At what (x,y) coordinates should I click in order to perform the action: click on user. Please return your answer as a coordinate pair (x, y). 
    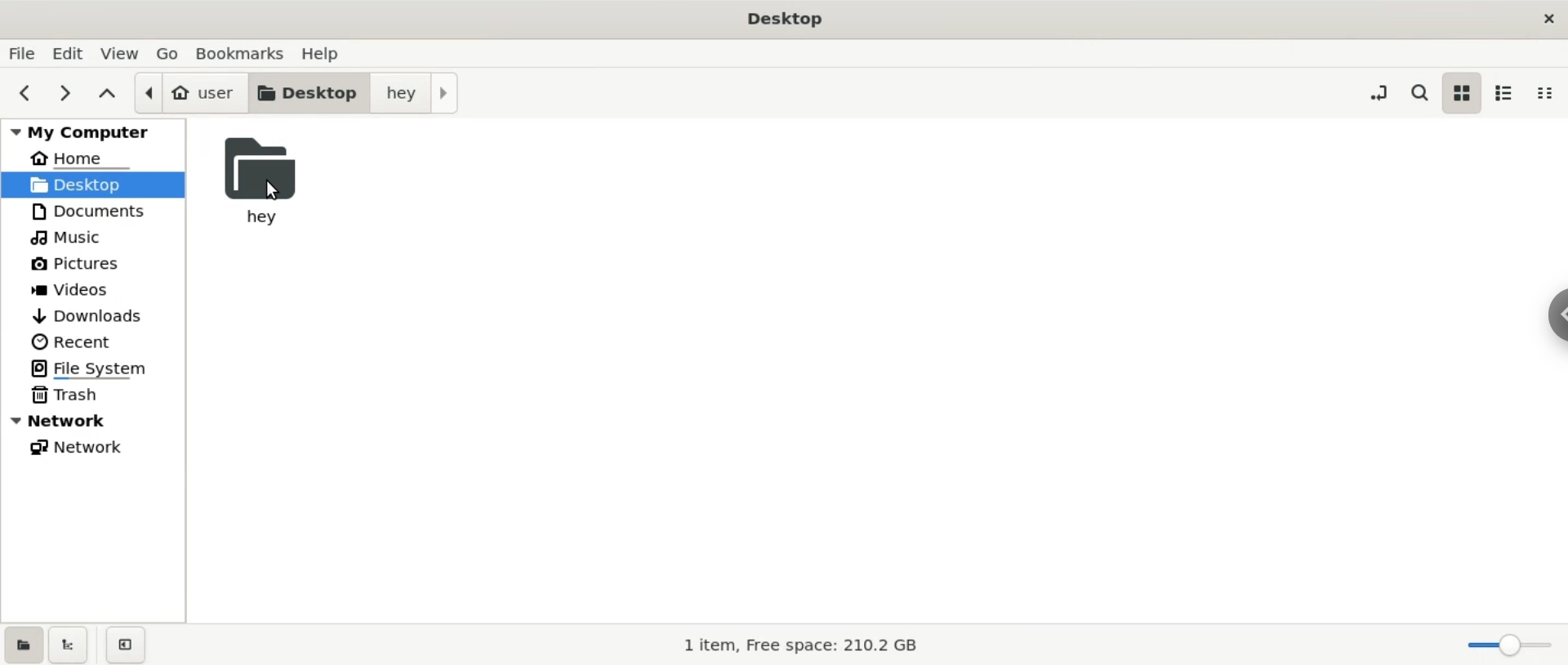
    Looking at the image, I should click on (185, 91).